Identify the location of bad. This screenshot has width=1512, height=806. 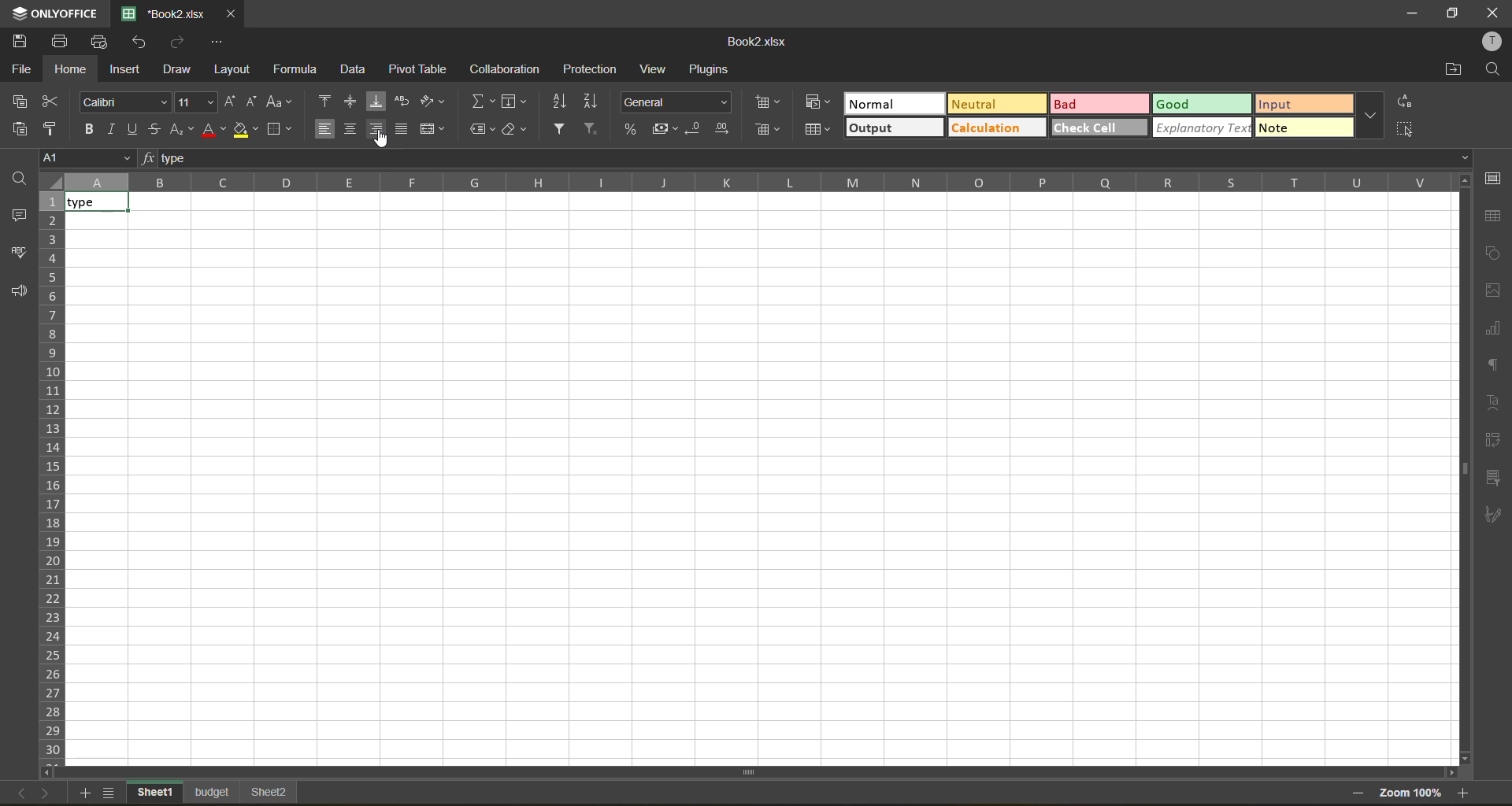
(1099, 103).